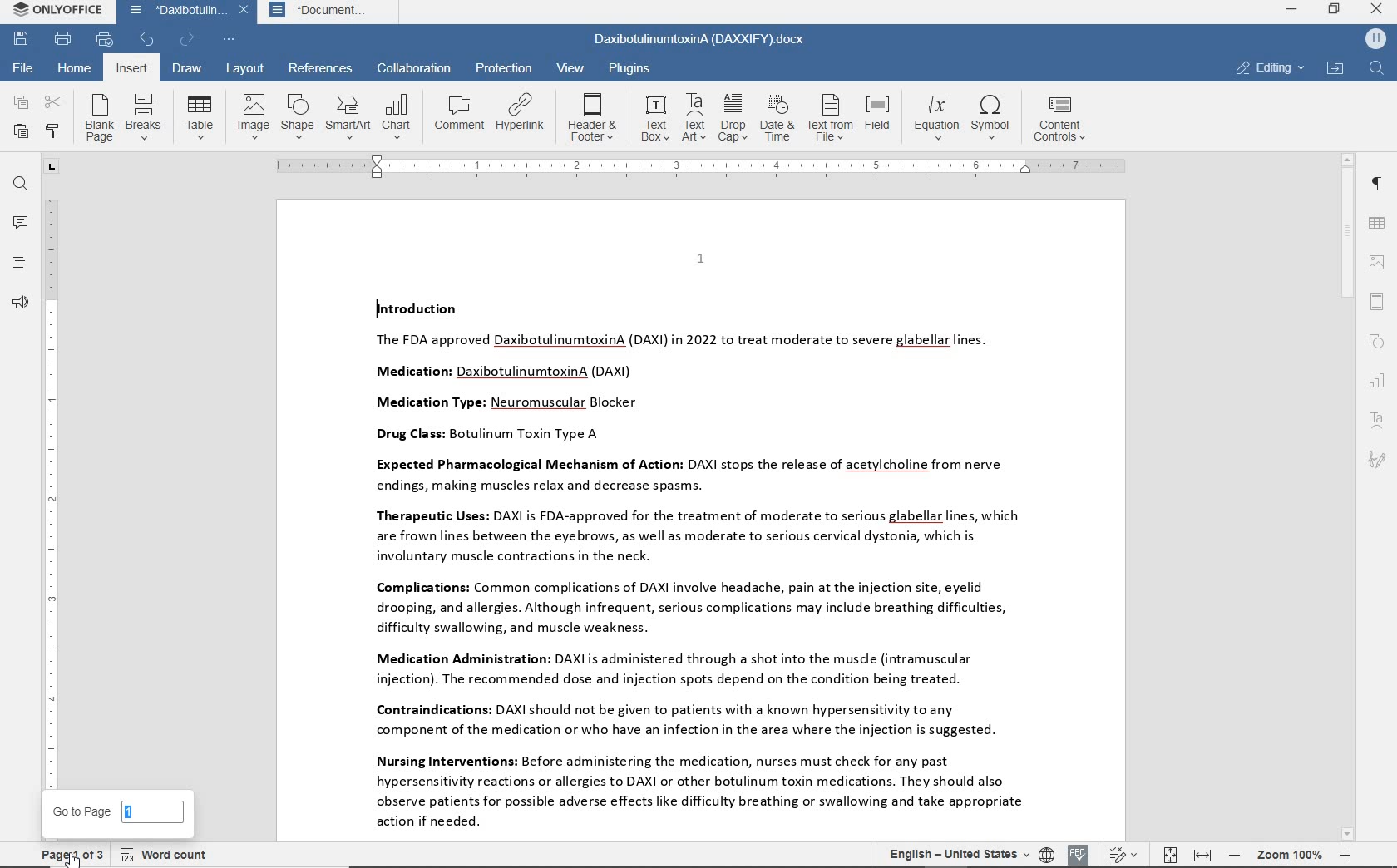  Describe the element at coordinates (1046, 854) in the screenshot. I see `set document language` at that location.